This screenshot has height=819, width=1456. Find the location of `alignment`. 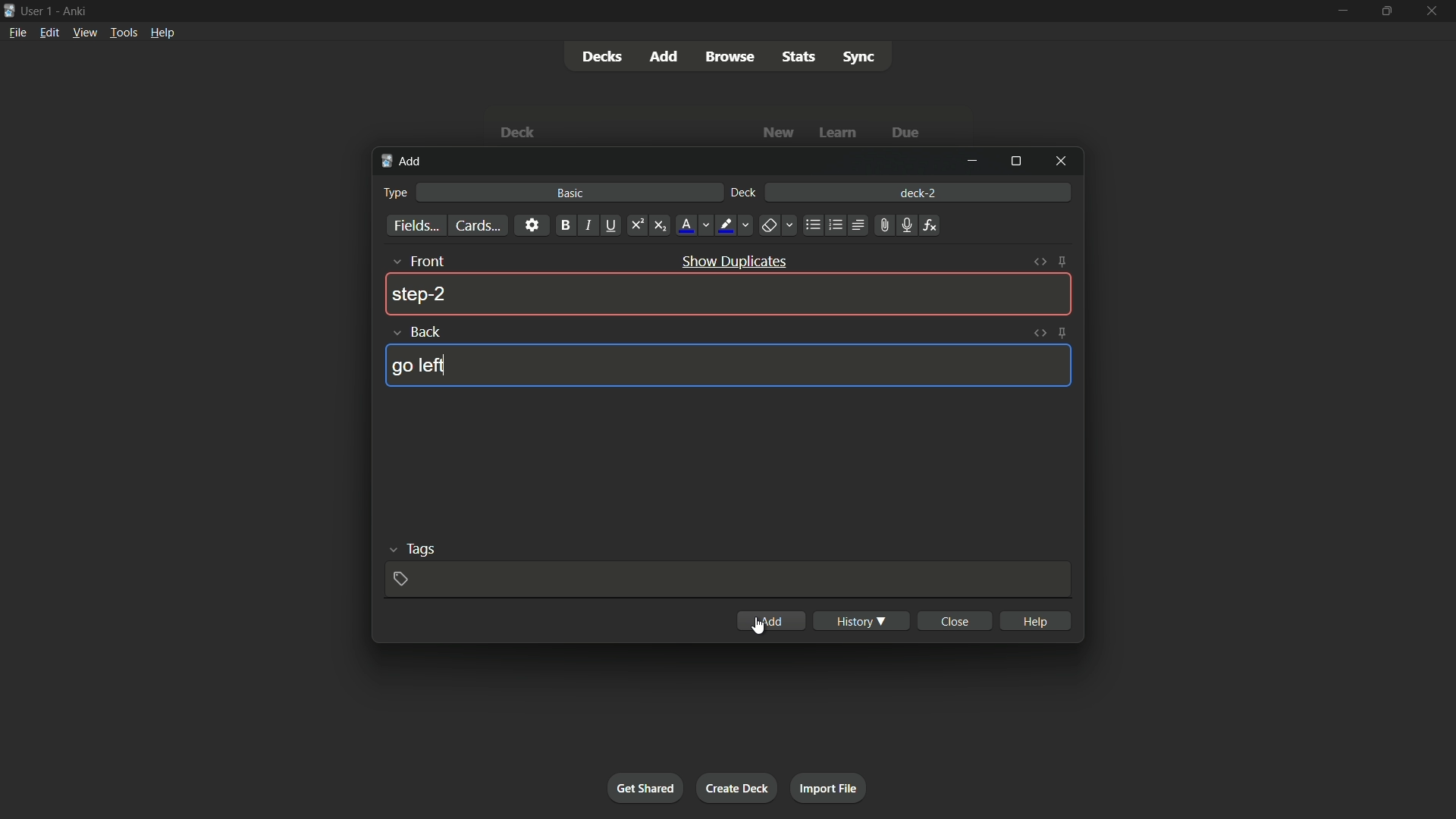

alignment is located at coordinates (859, 224).